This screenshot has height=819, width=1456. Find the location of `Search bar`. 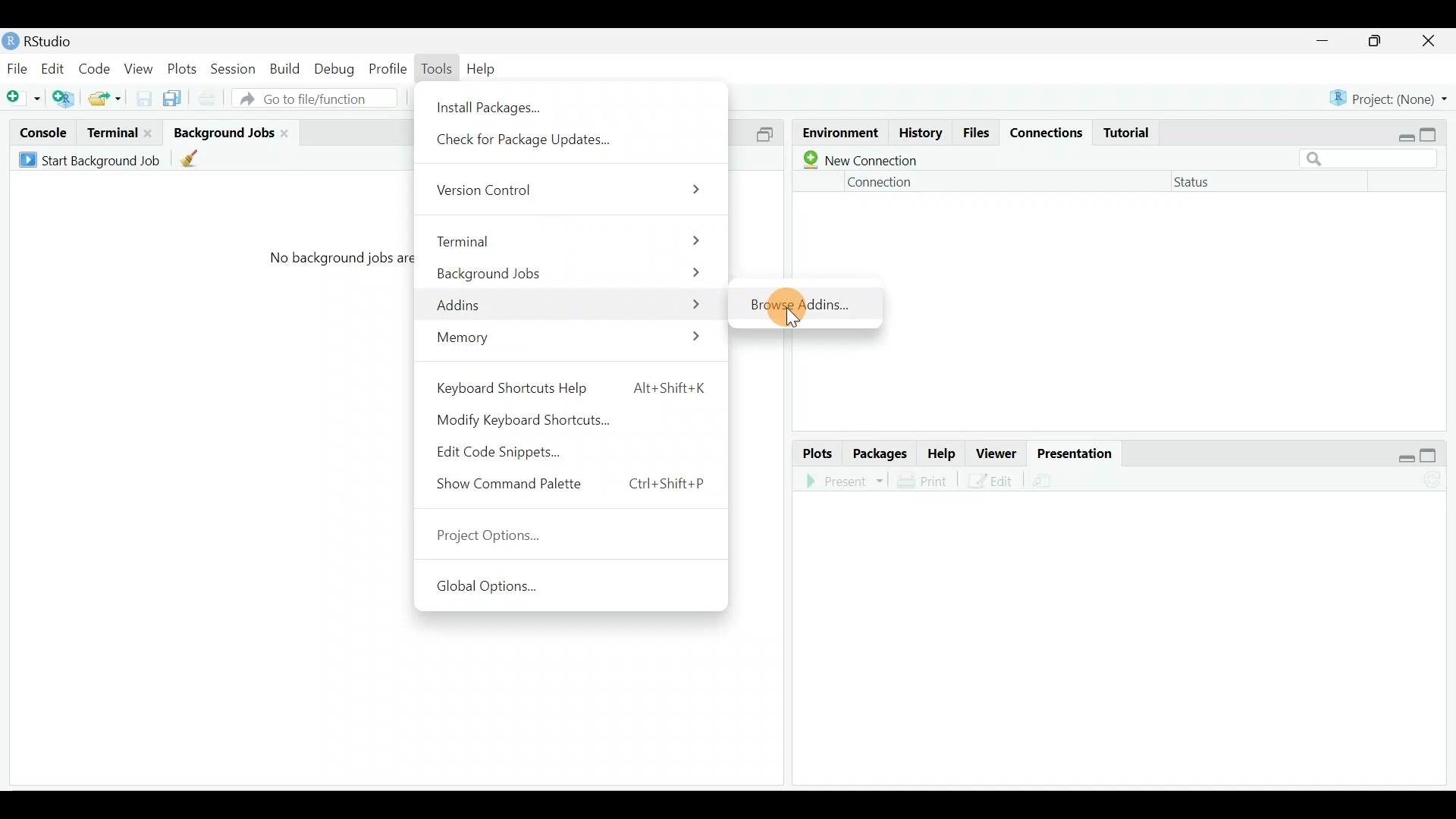

Search bar is located at coordinates (1373, 160).